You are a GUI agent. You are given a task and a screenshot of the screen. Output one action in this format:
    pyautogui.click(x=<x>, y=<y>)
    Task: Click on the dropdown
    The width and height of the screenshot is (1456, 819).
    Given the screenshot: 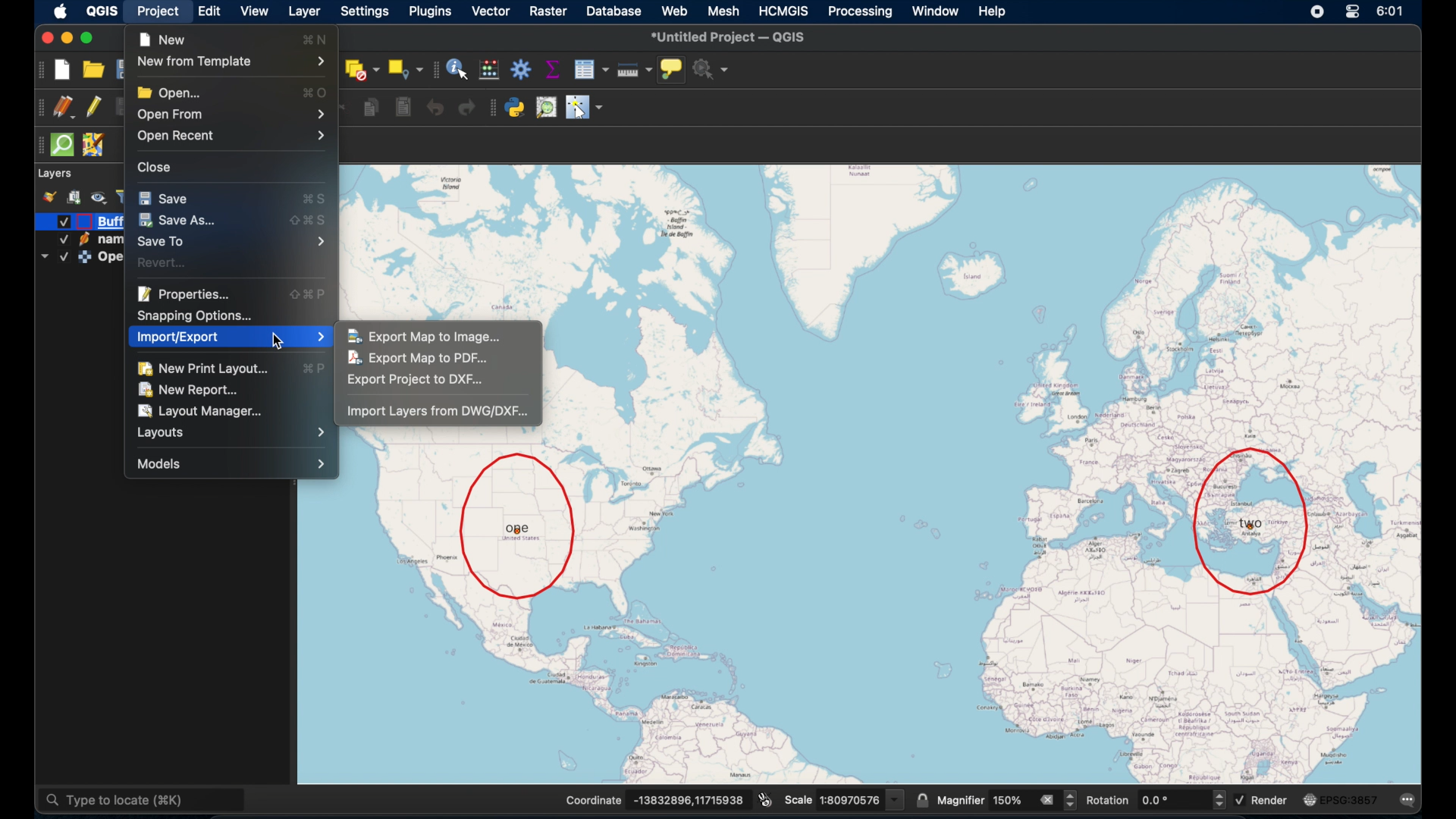 What is the action you would take?
    pyautogui.click(x=43, y=257)
    